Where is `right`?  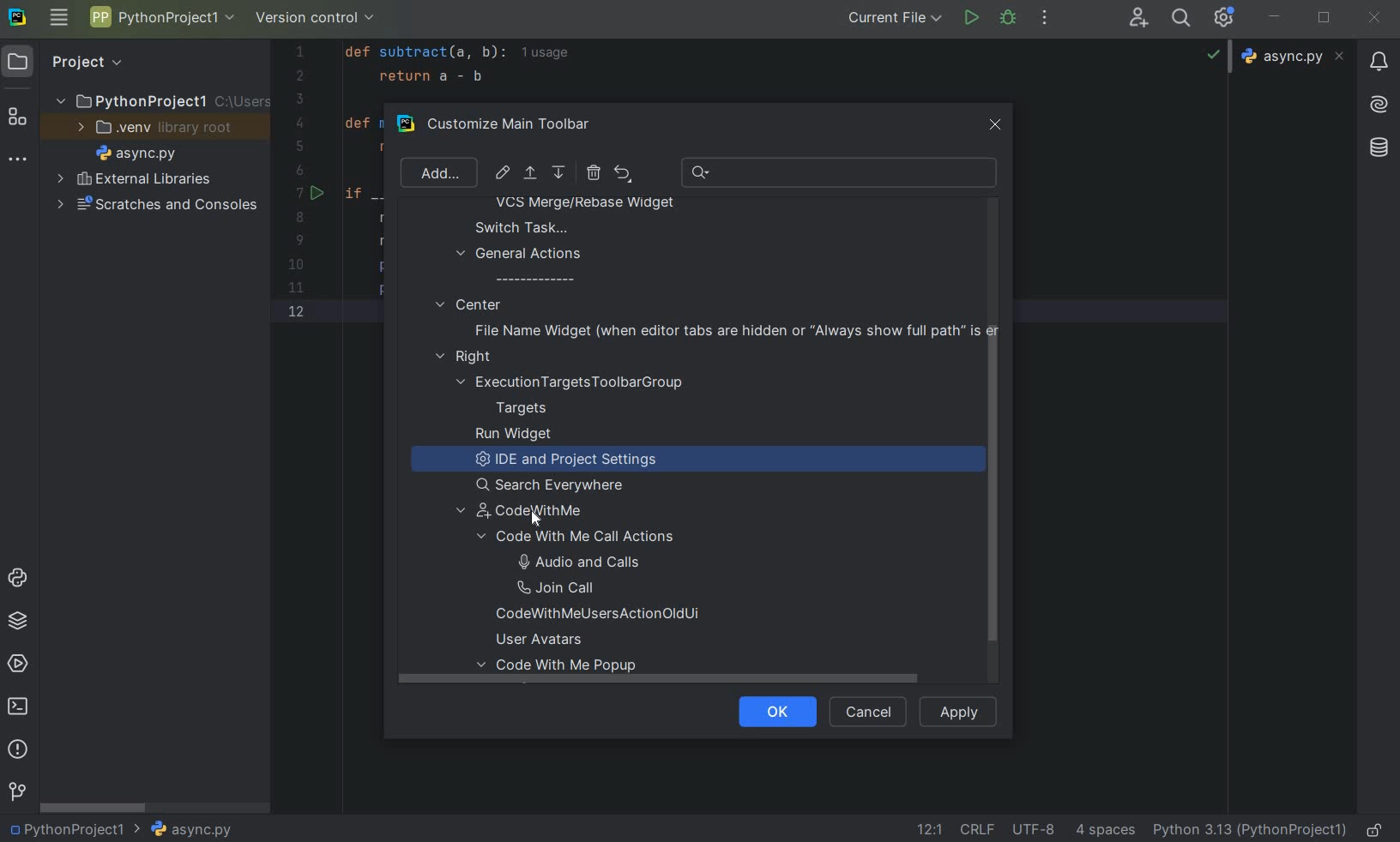 right is located at coordinates (468, 358).